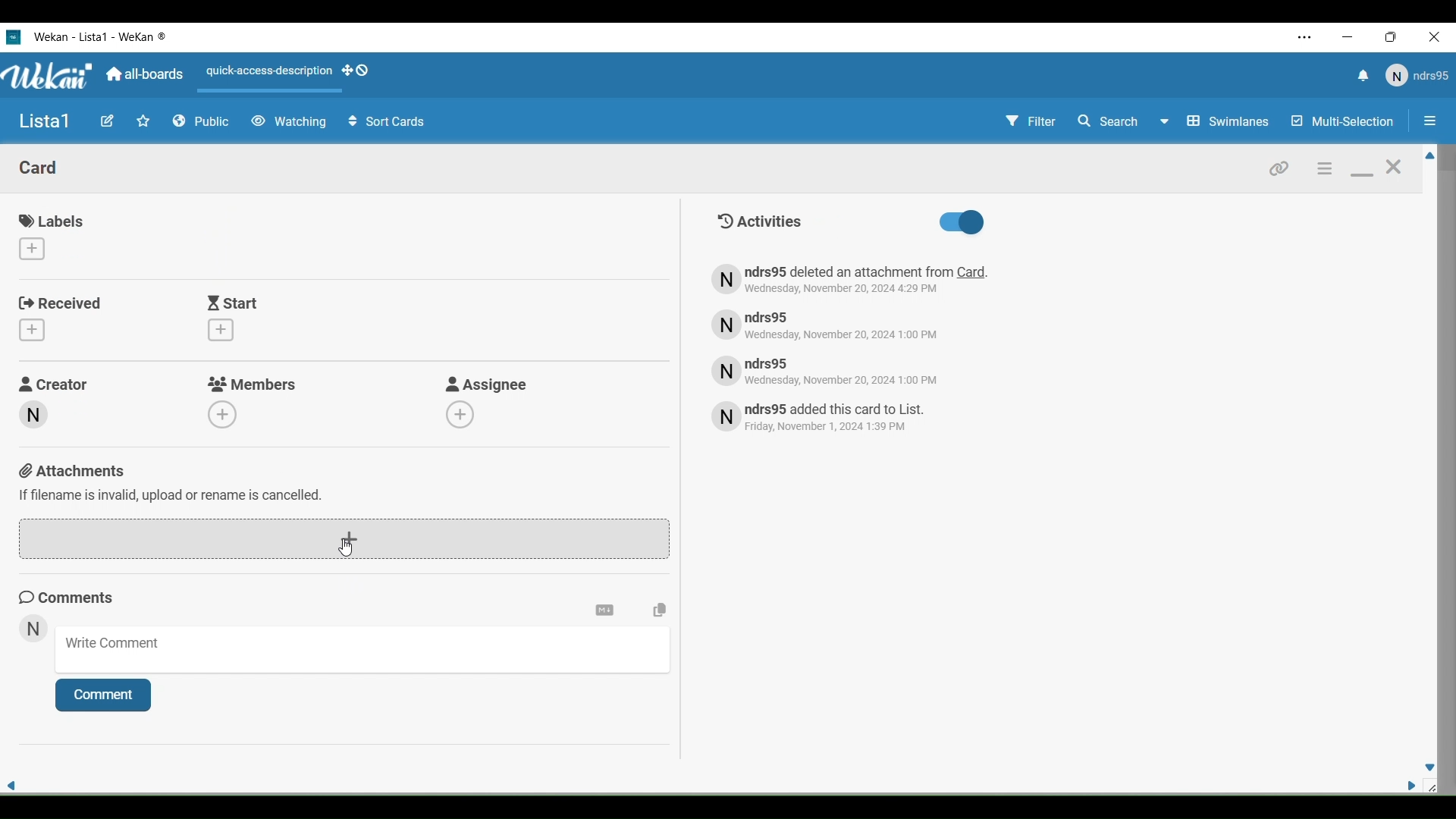  I want to click on Name, so click(45, 122).